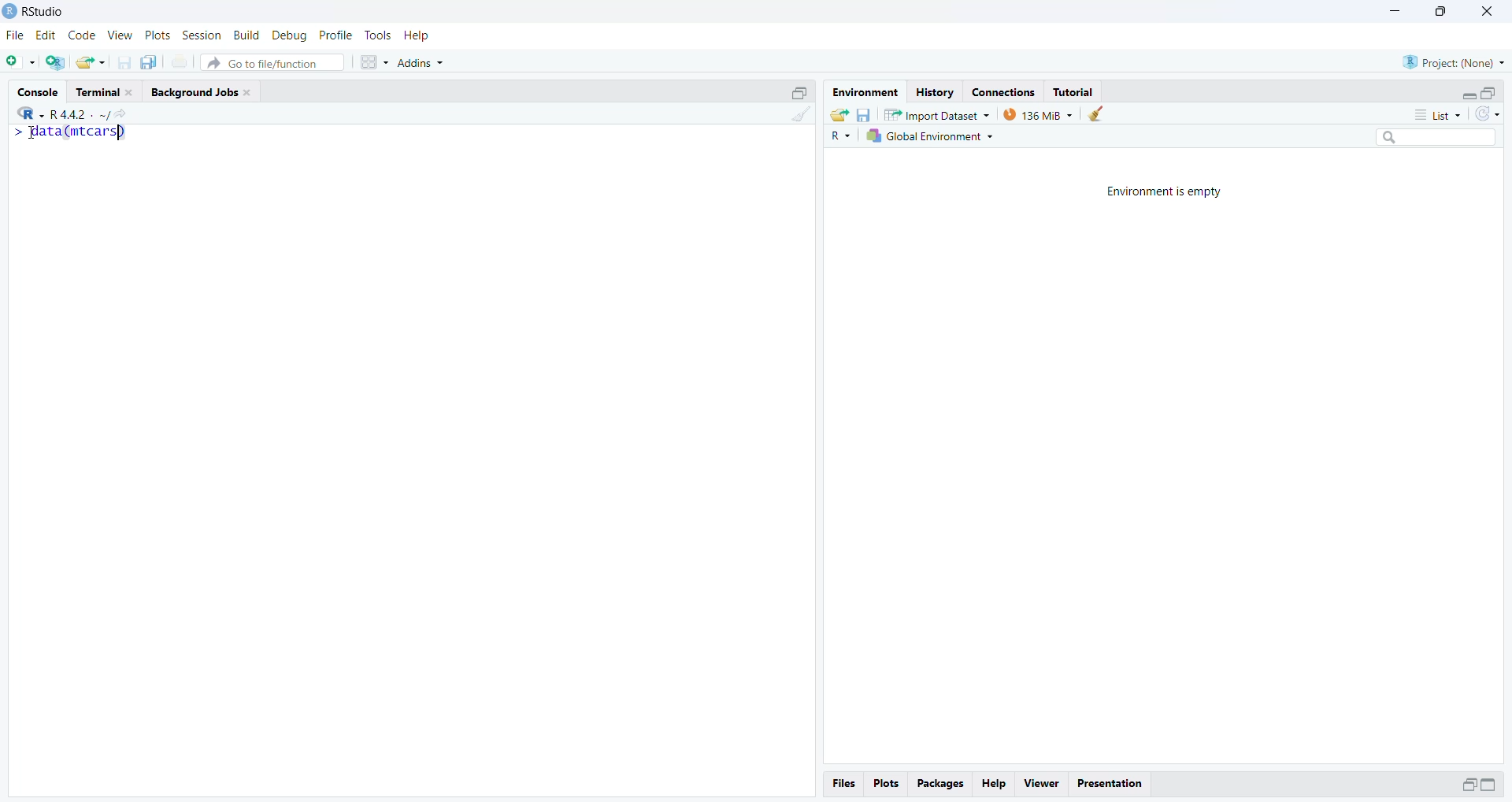  I want to click on View the current working directory, so click(121, 113).